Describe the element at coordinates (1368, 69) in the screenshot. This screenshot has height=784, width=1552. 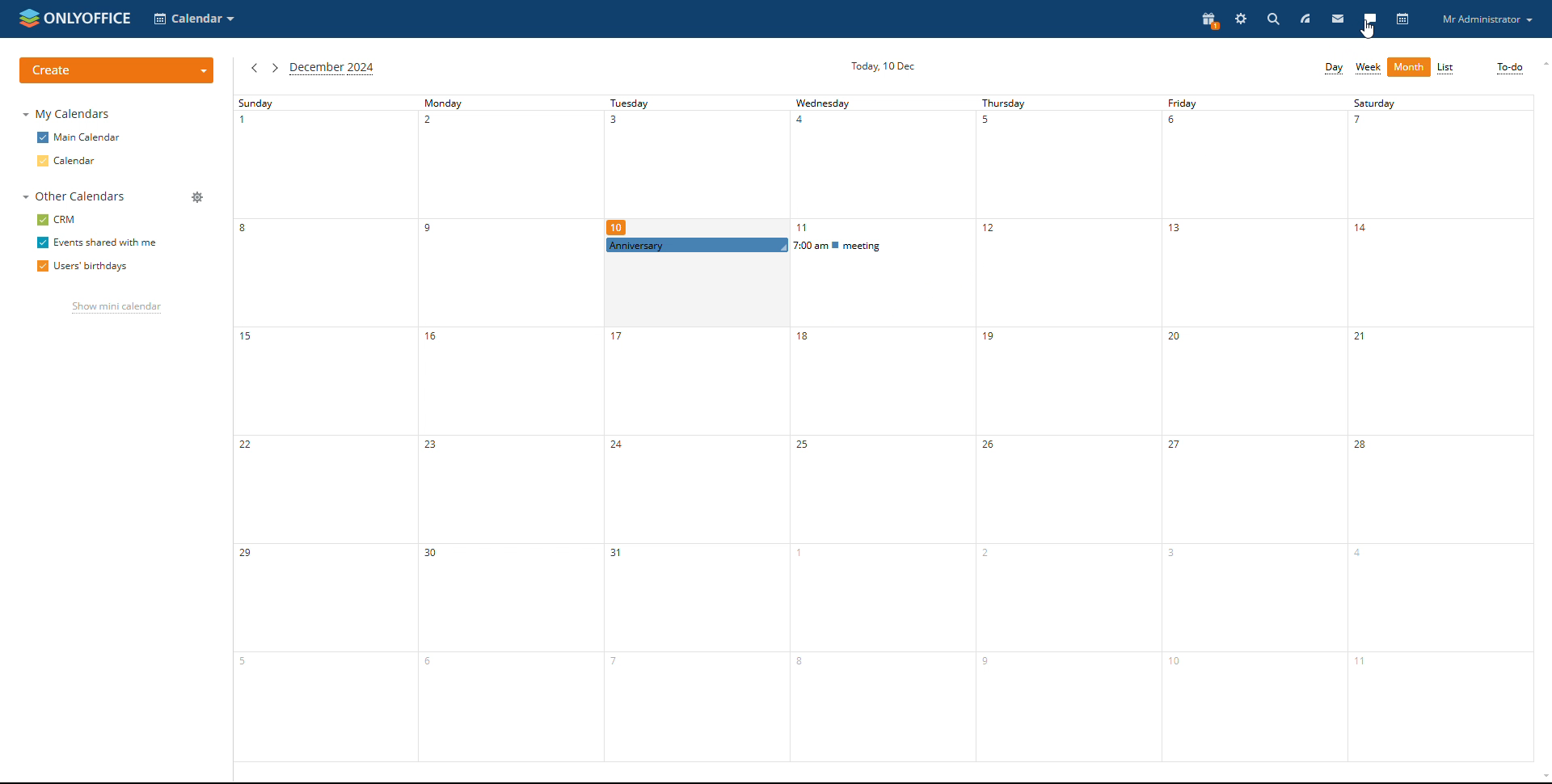
I see `week view` at that location.